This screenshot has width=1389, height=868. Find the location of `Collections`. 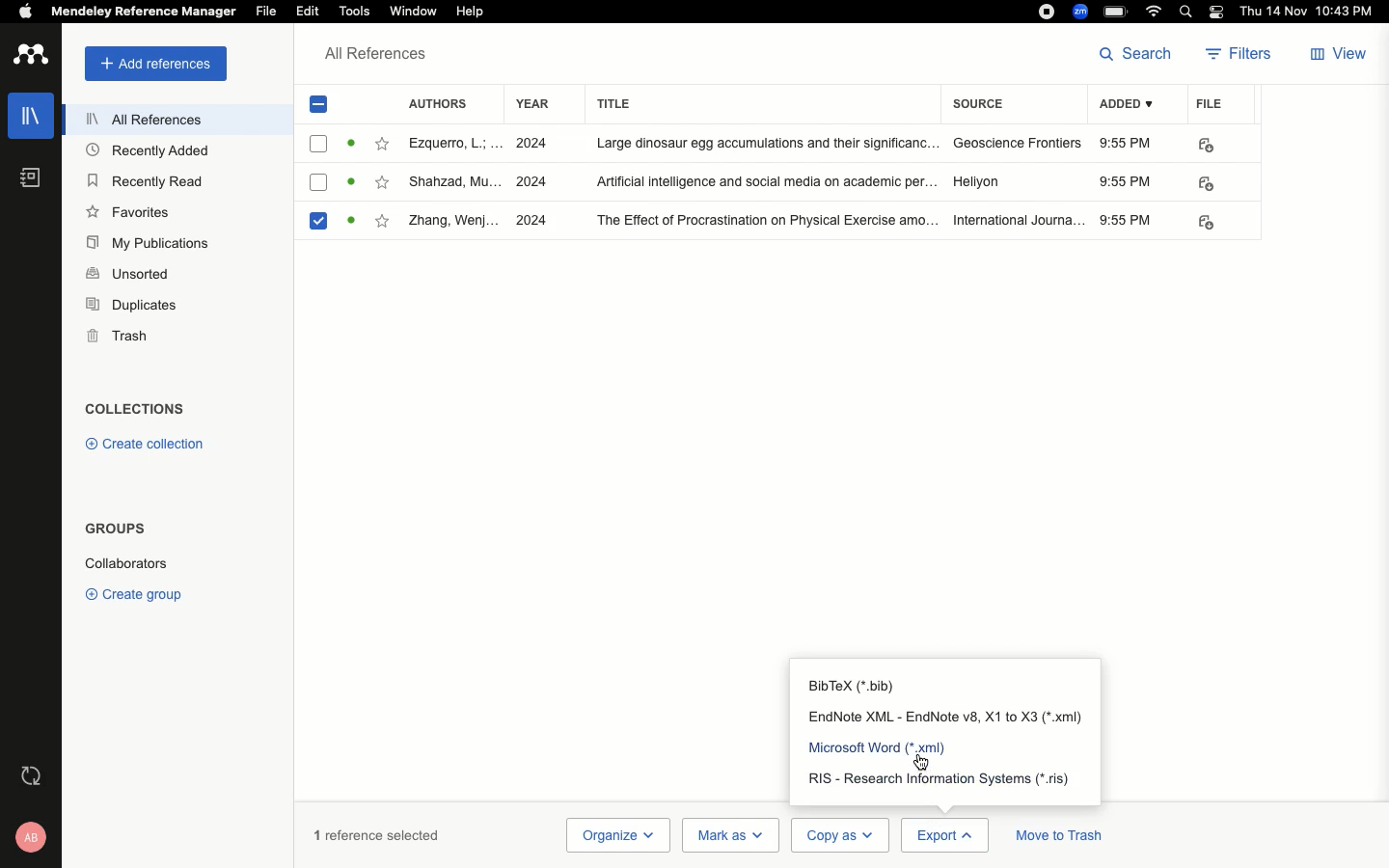

Collections is located at coordinates (135, 411).